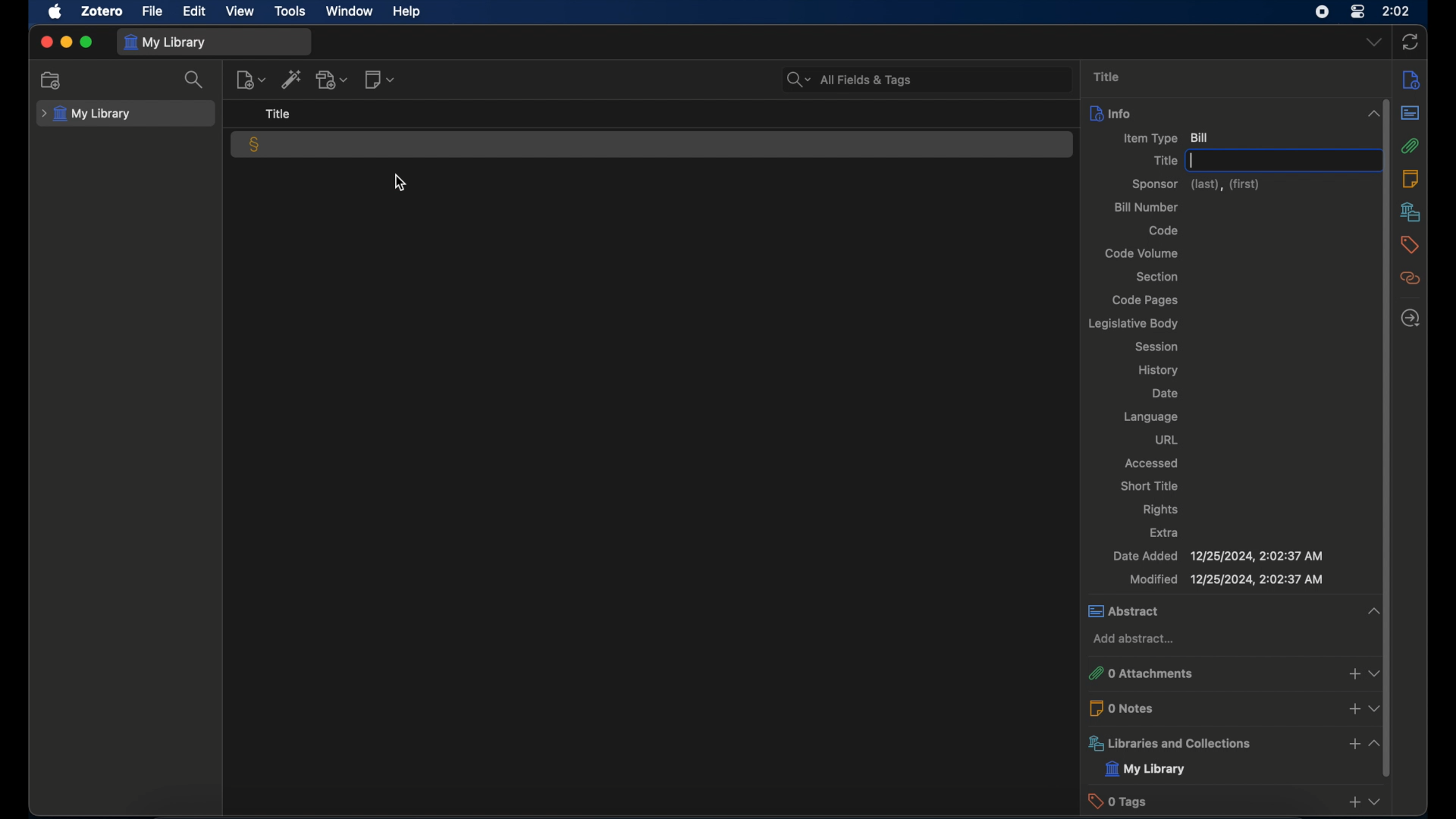 The width and height of the screenshot is (1456, 819). Describe the element at coordinates (1157, 347) in the screenshot. I see `session` at that location.